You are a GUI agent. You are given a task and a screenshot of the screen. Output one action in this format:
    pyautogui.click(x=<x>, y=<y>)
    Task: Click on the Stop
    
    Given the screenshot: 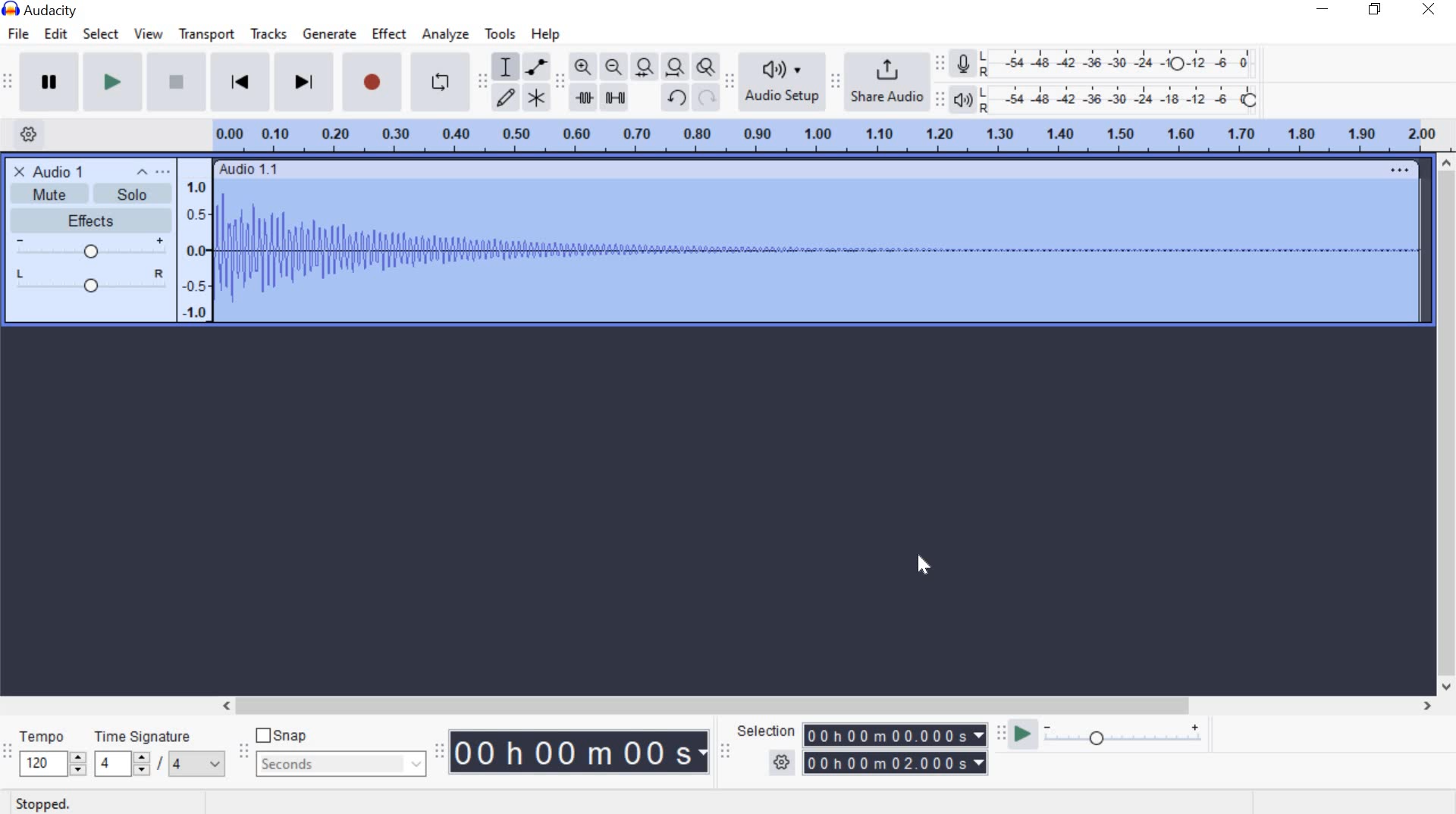 What is the action you would take?
    pyautogui.click(x=173, y=81)
    